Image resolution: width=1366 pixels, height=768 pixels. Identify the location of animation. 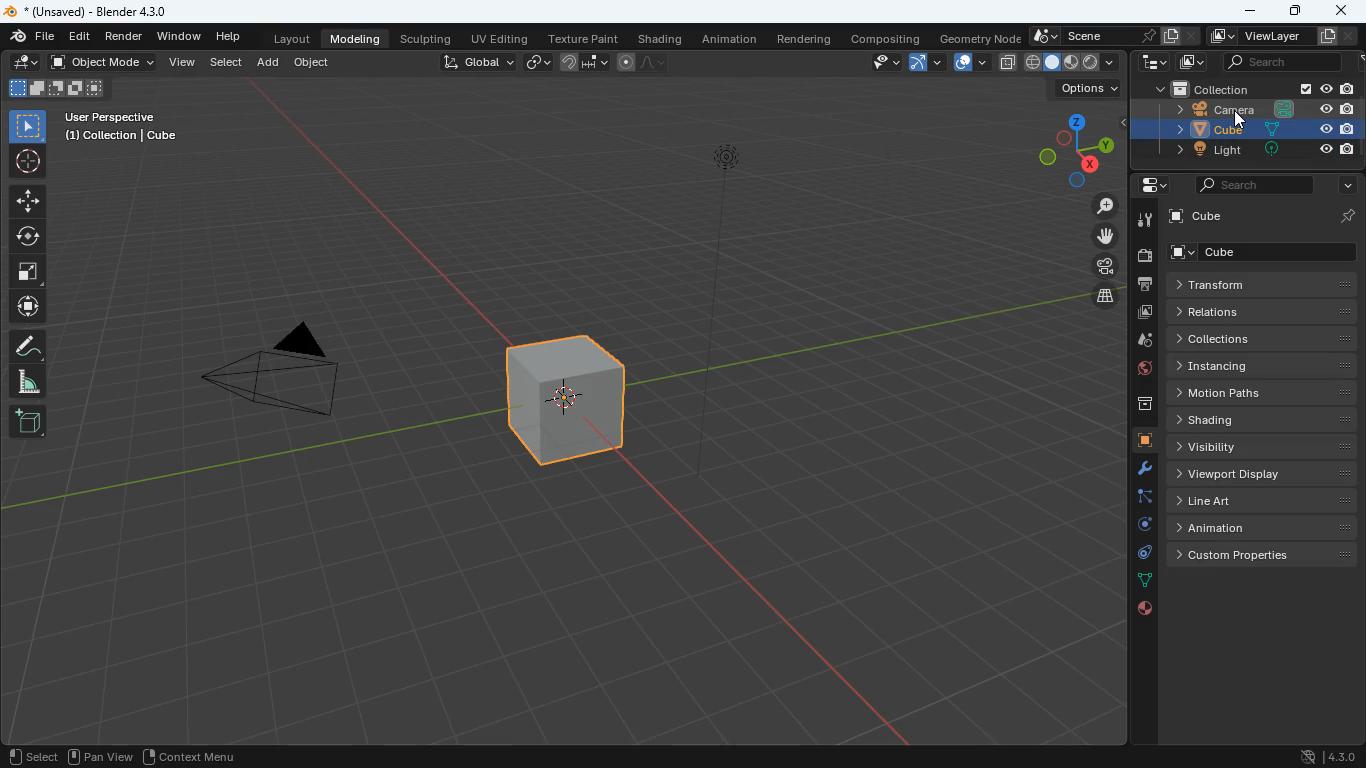
(733, 38).